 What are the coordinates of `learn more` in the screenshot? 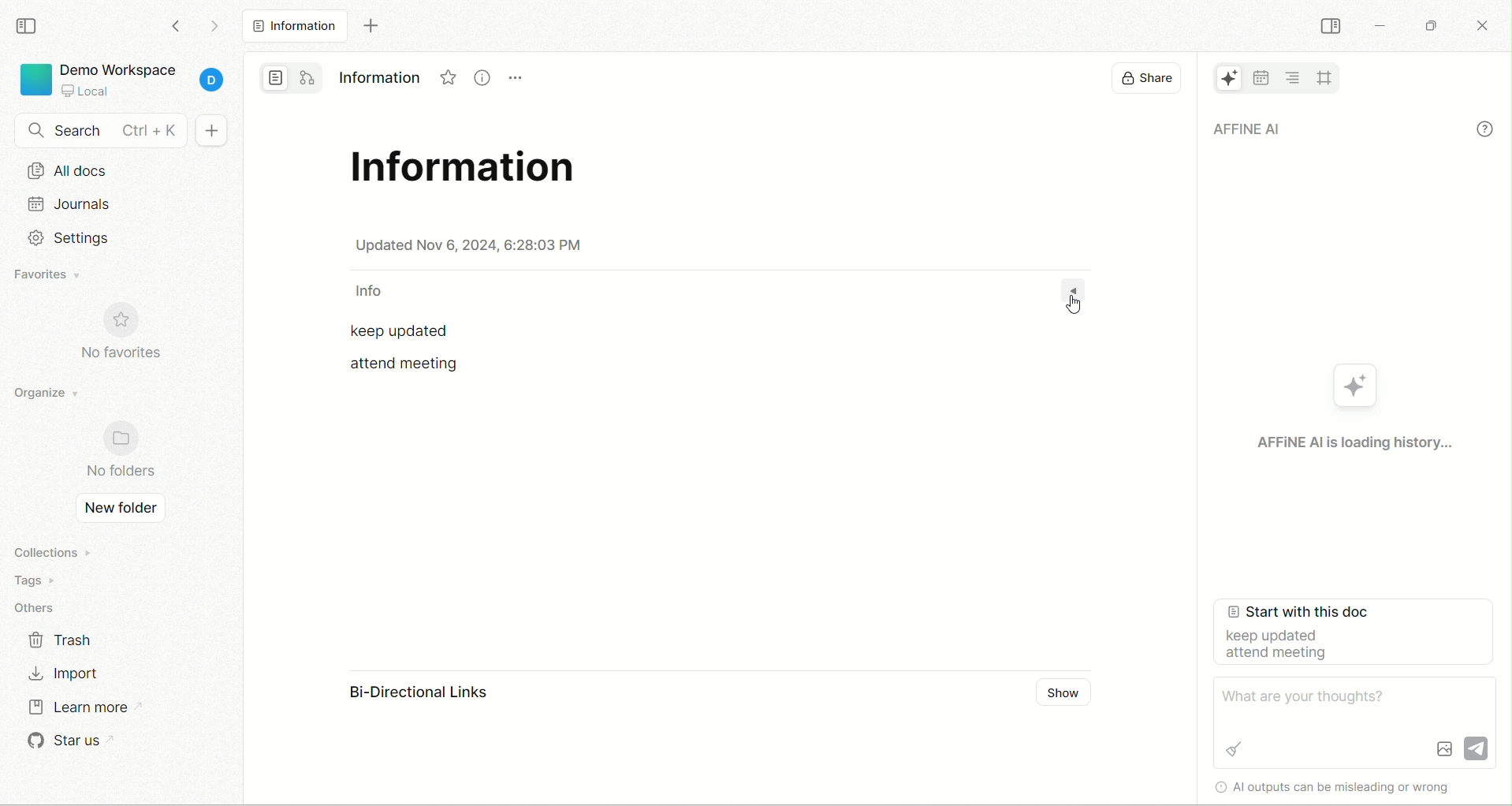 It's located at (77, 711).